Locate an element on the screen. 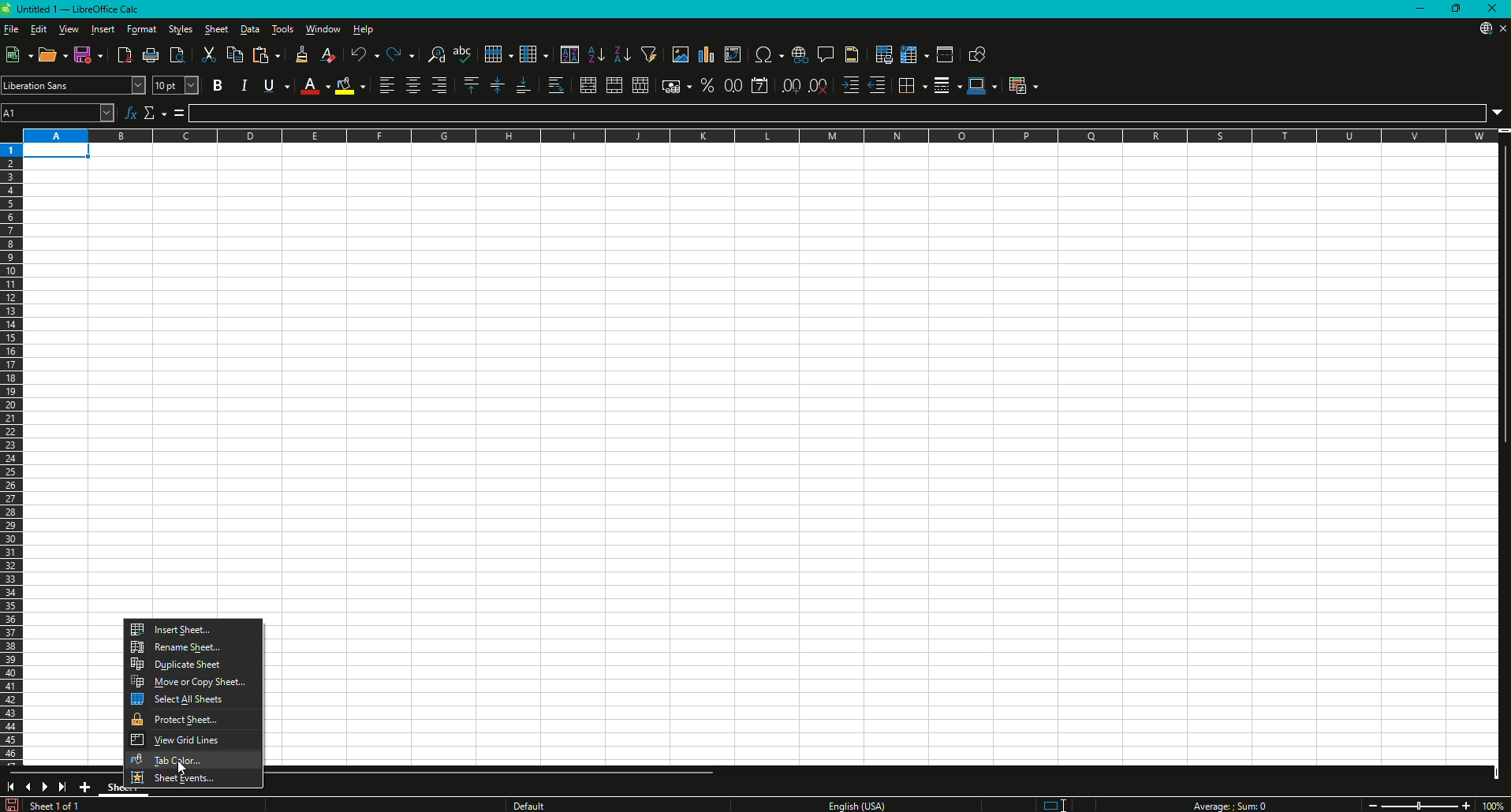 This screenshot has width=1511, height=812. Add New Sheet is located at coordinates (85, 787).